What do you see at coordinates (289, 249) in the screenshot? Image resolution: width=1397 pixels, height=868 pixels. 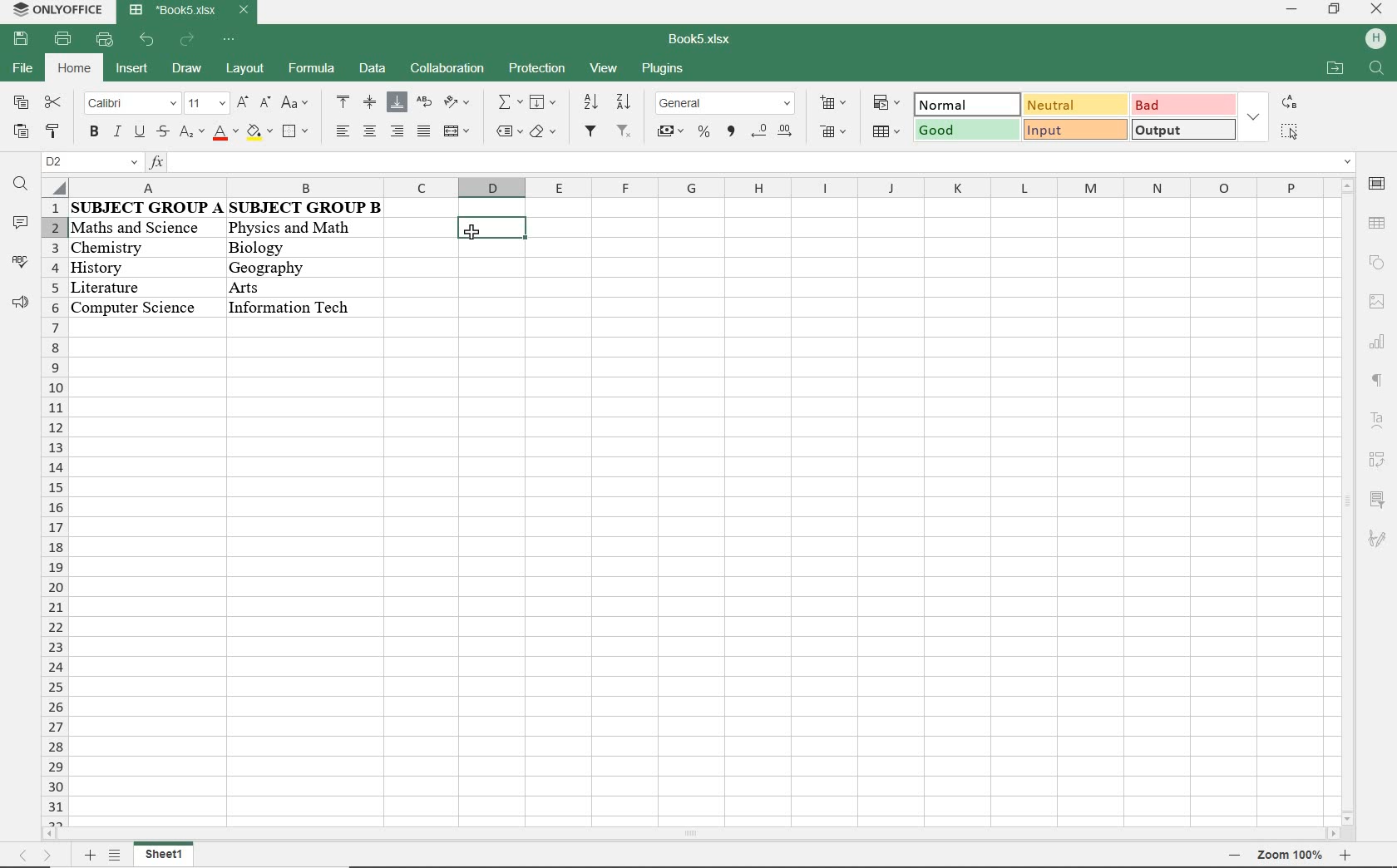 I see `biology` at bounding box center [289, 249].